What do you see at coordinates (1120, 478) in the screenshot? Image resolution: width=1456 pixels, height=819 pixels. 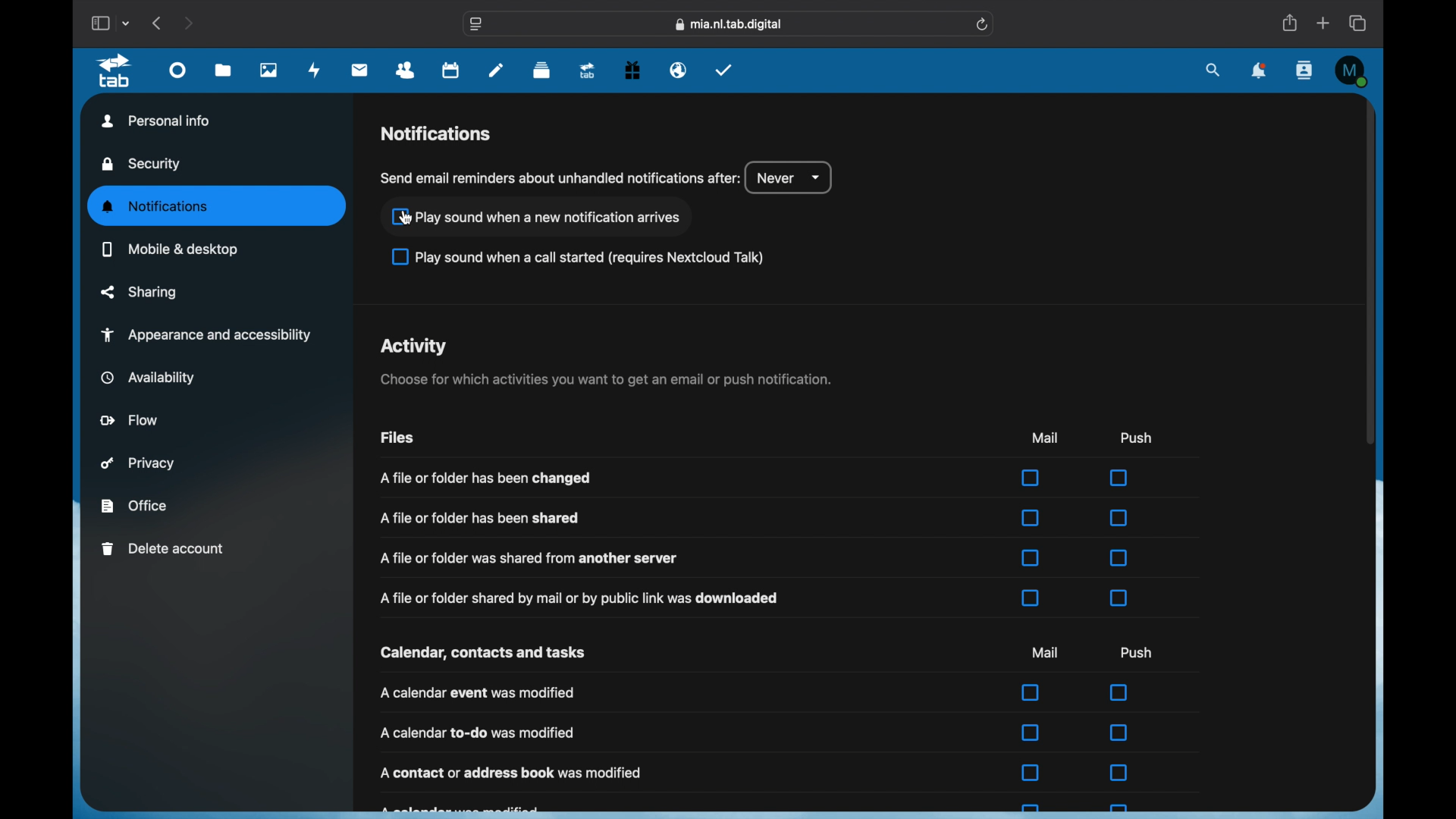 I see `checkbox` at bounding box center [1120, 478].